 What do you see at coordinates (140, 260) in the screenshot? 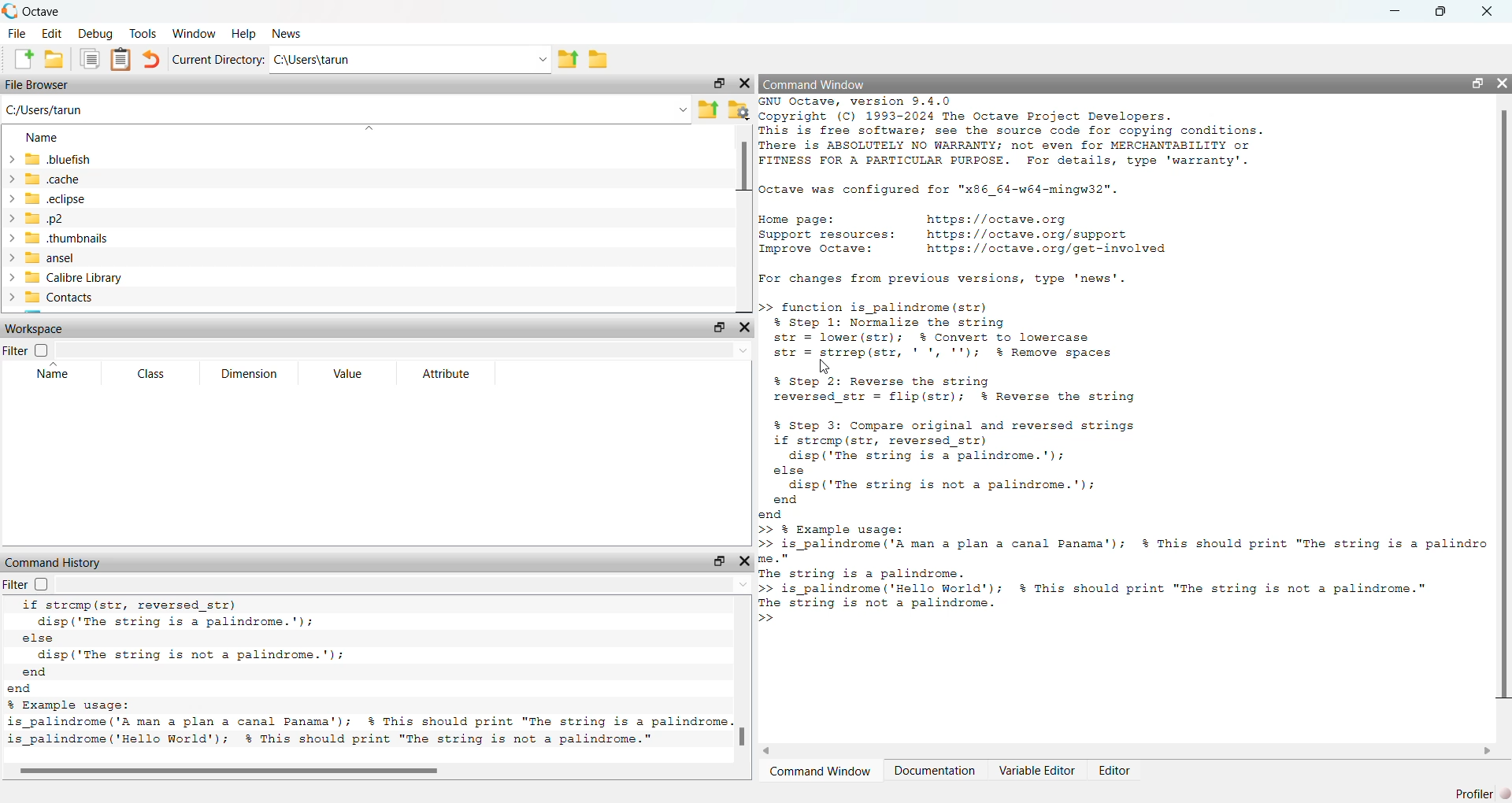
I see `ansel` at bounding box center [140, 260].